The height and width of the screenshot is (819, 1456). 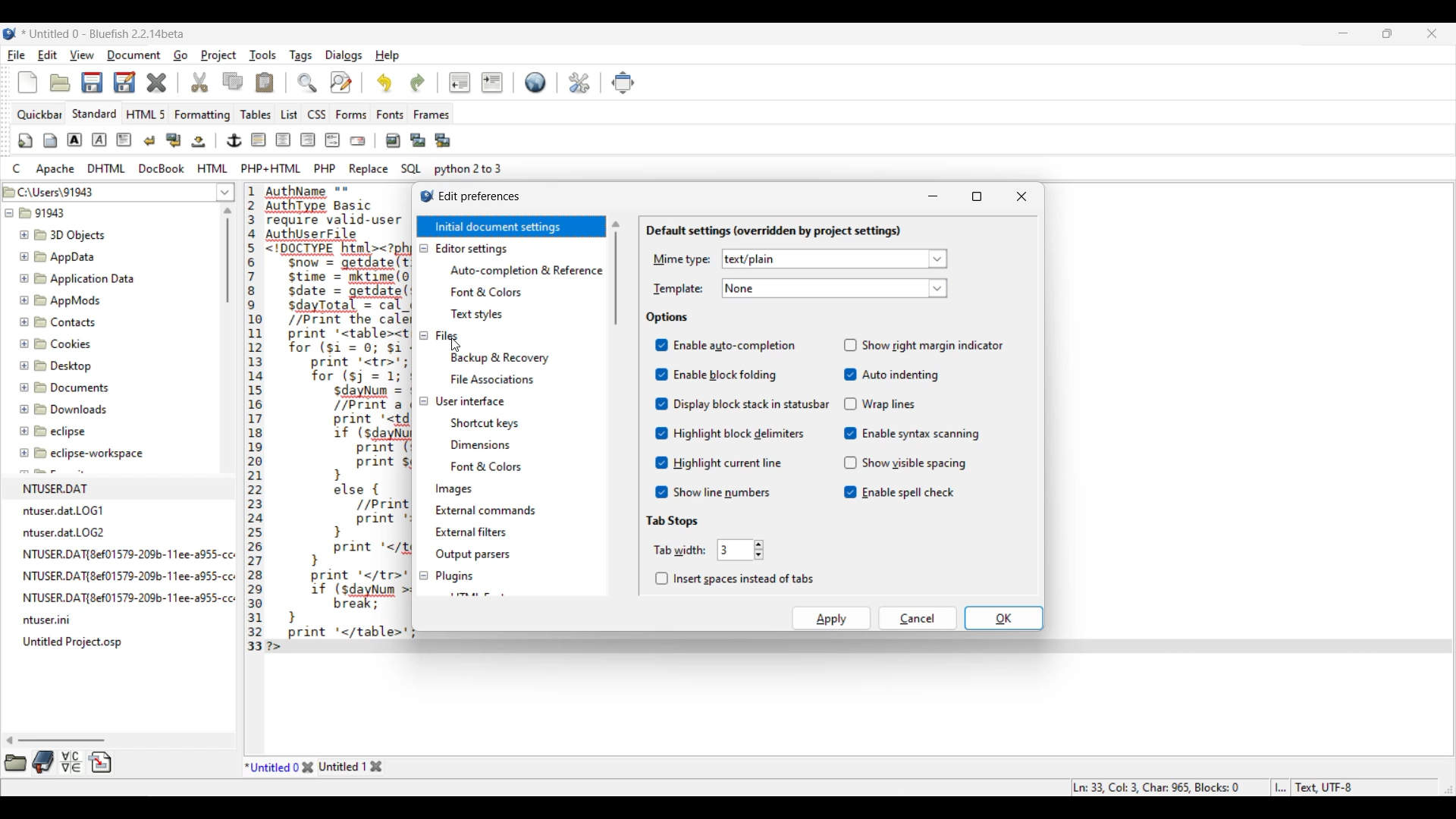 What do you see at coordinates (527, 368) in the screenshot?
I see `Files setting options` at bounding box center [527, 368].